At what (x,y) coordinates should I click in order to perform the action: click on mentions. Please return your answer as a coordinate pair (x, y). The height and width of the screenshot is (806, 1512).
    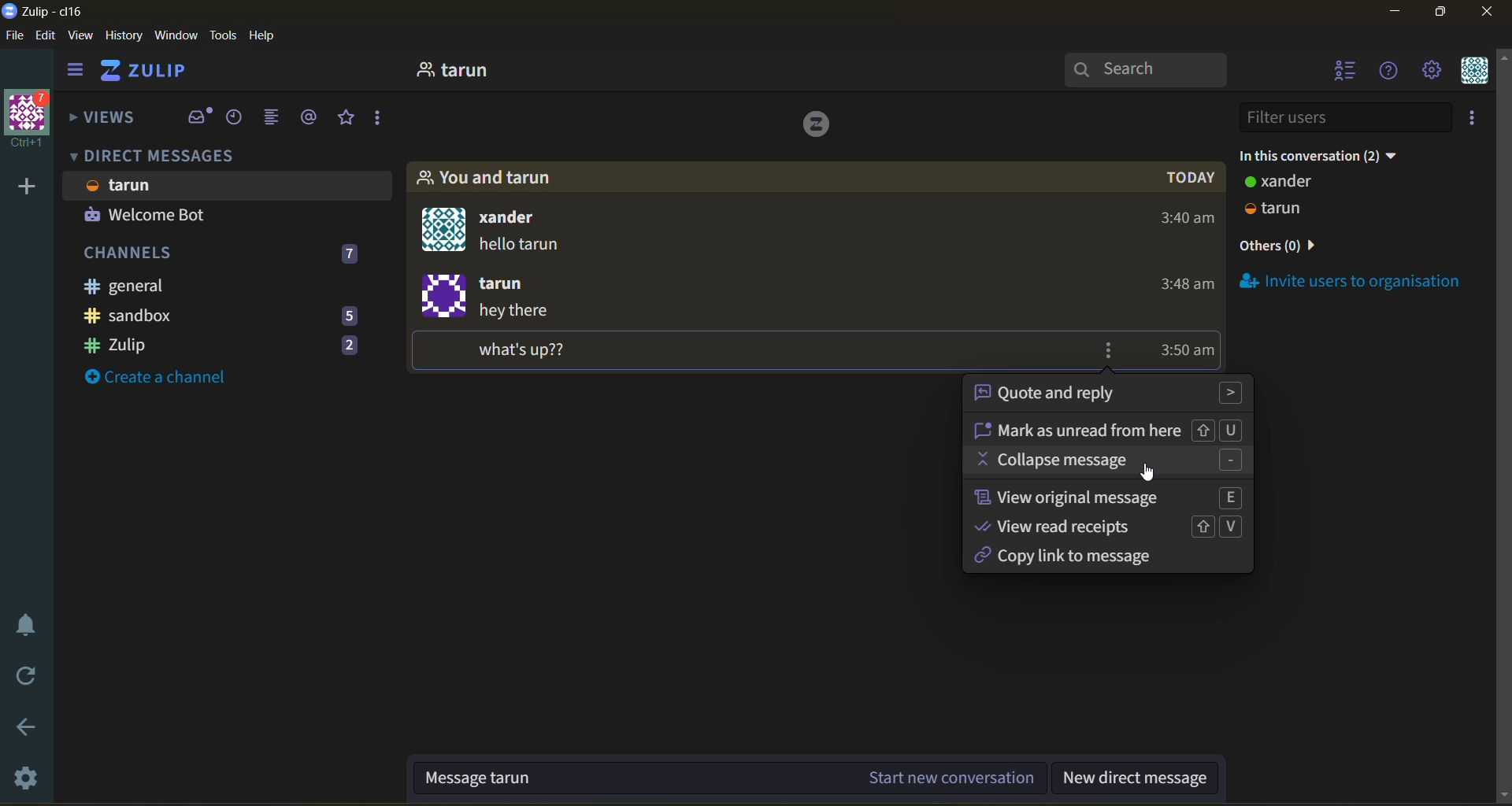
    Looking at the image, I should click on (309, 119).